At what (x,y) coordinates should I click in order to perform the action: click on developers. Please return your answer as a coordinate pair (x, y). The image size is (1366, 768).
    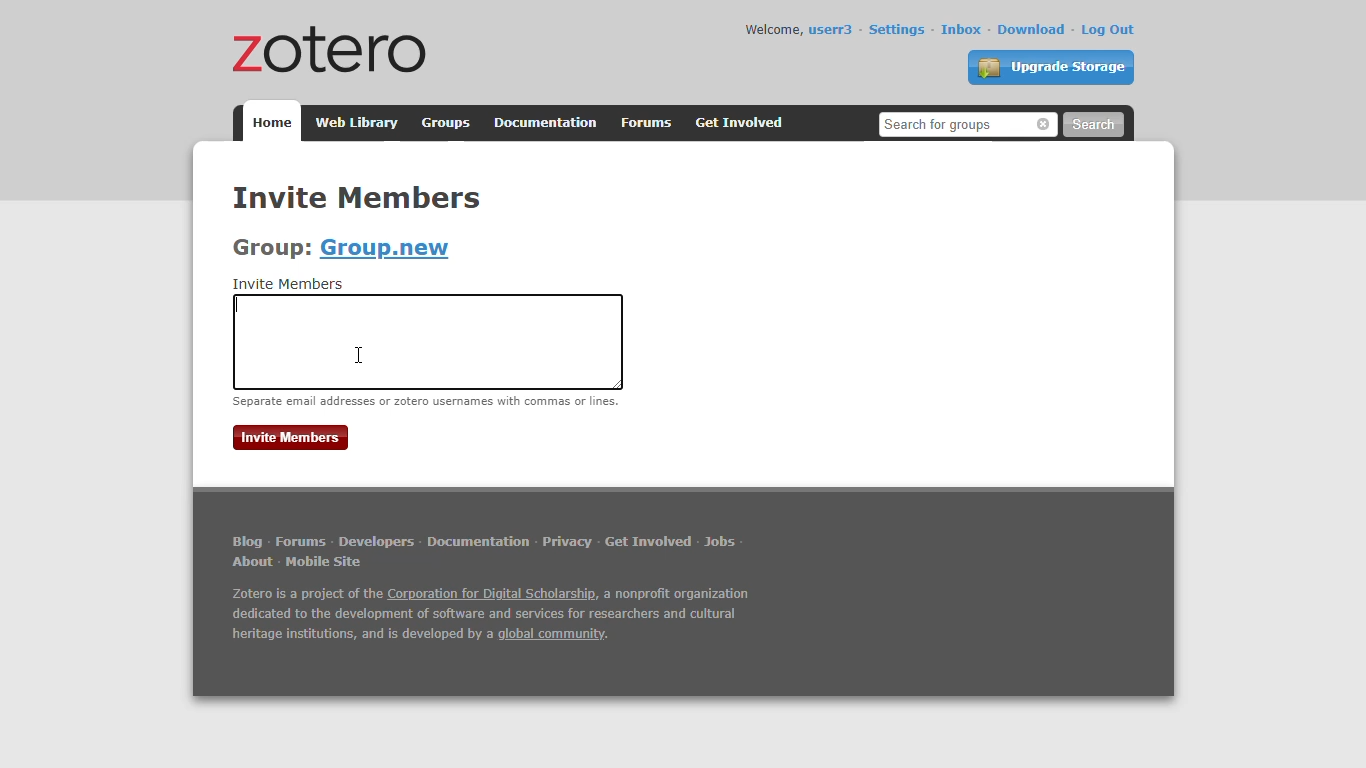
    Looking at the image, I should click on (376, 541).